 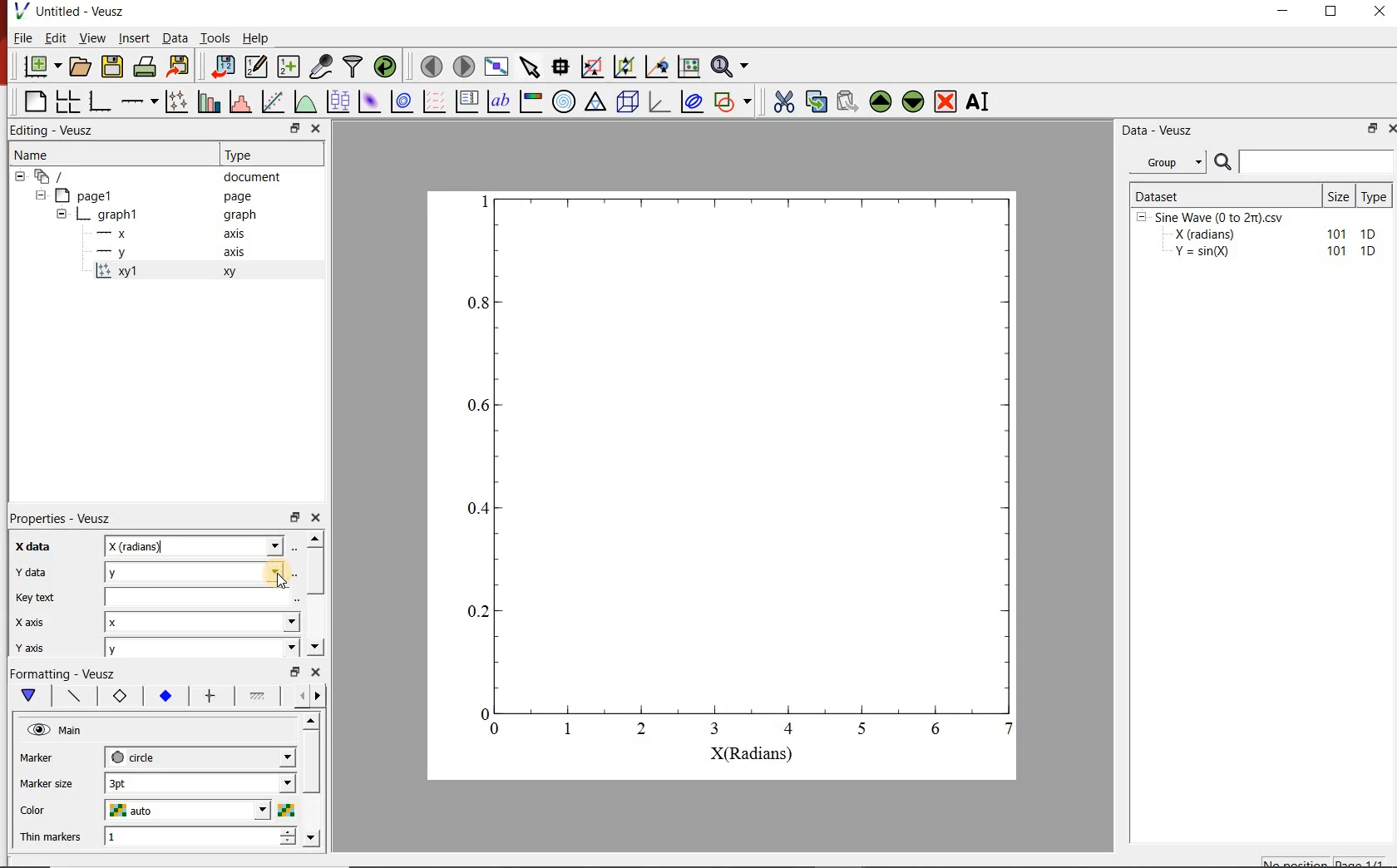 What do you see at coordinates (531, 101) in the screenshot?
I see `image color bar` at bounding box center [531, 101].